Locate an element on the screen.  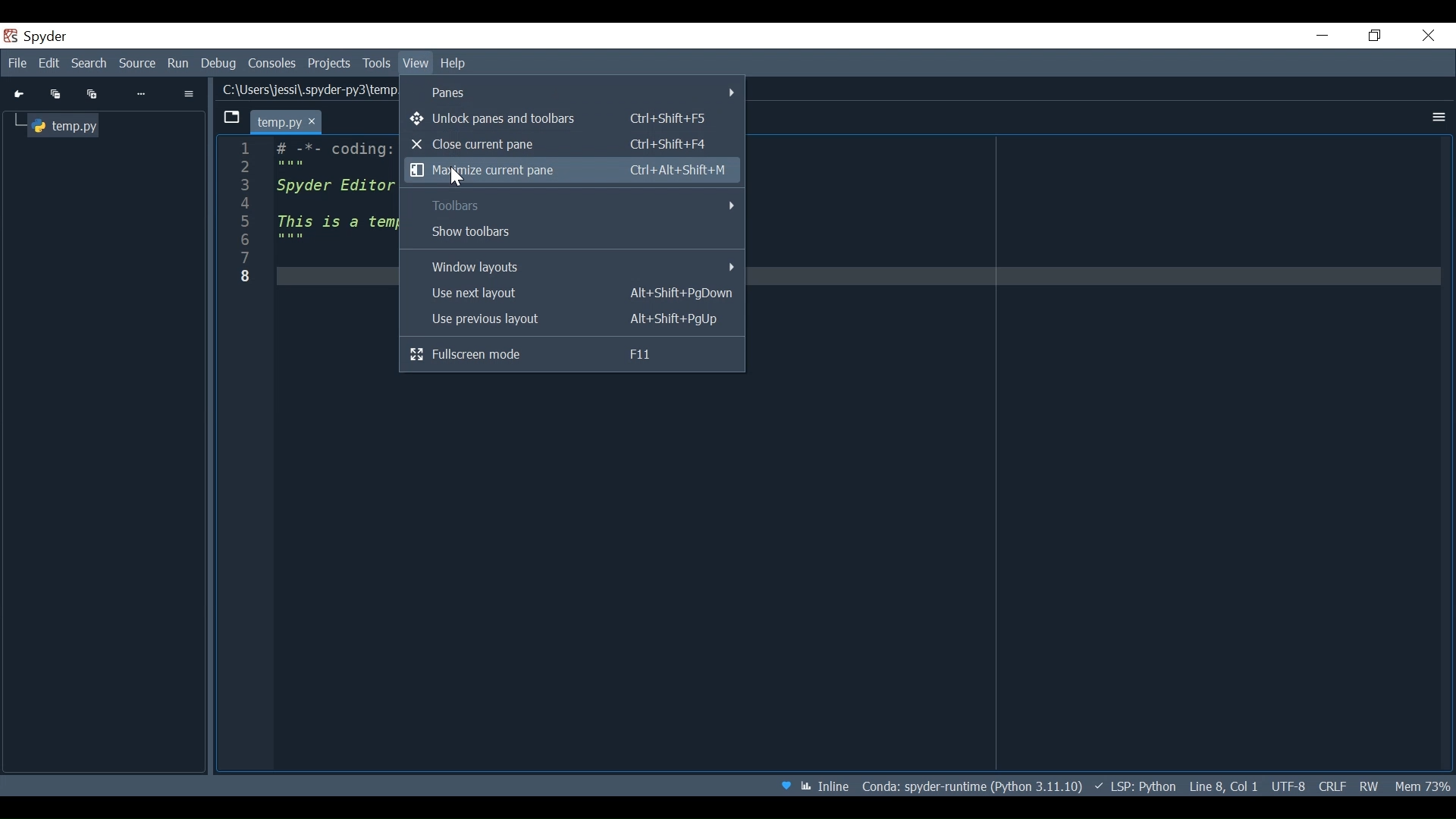
File is located at coordinates (16, 63).